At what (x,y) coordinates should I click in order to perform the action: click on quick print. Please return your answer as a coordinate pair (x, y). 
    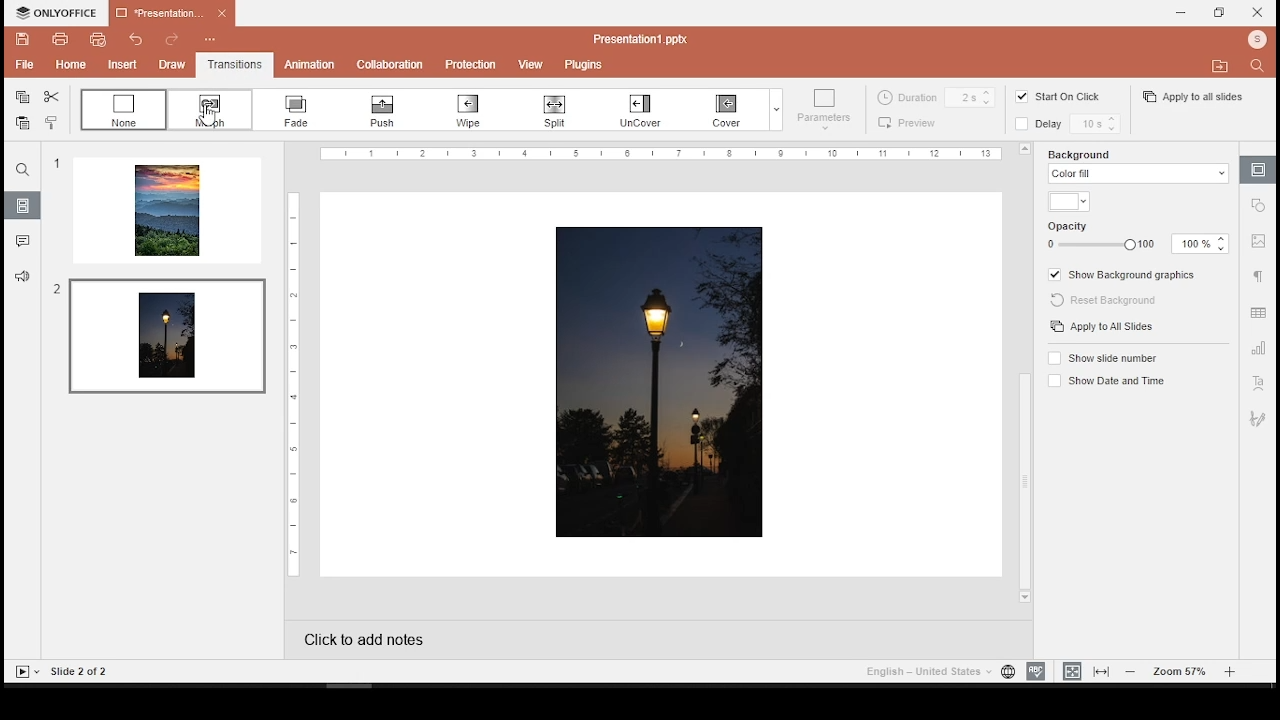
    Looking at the image, I should click on (69, 64).